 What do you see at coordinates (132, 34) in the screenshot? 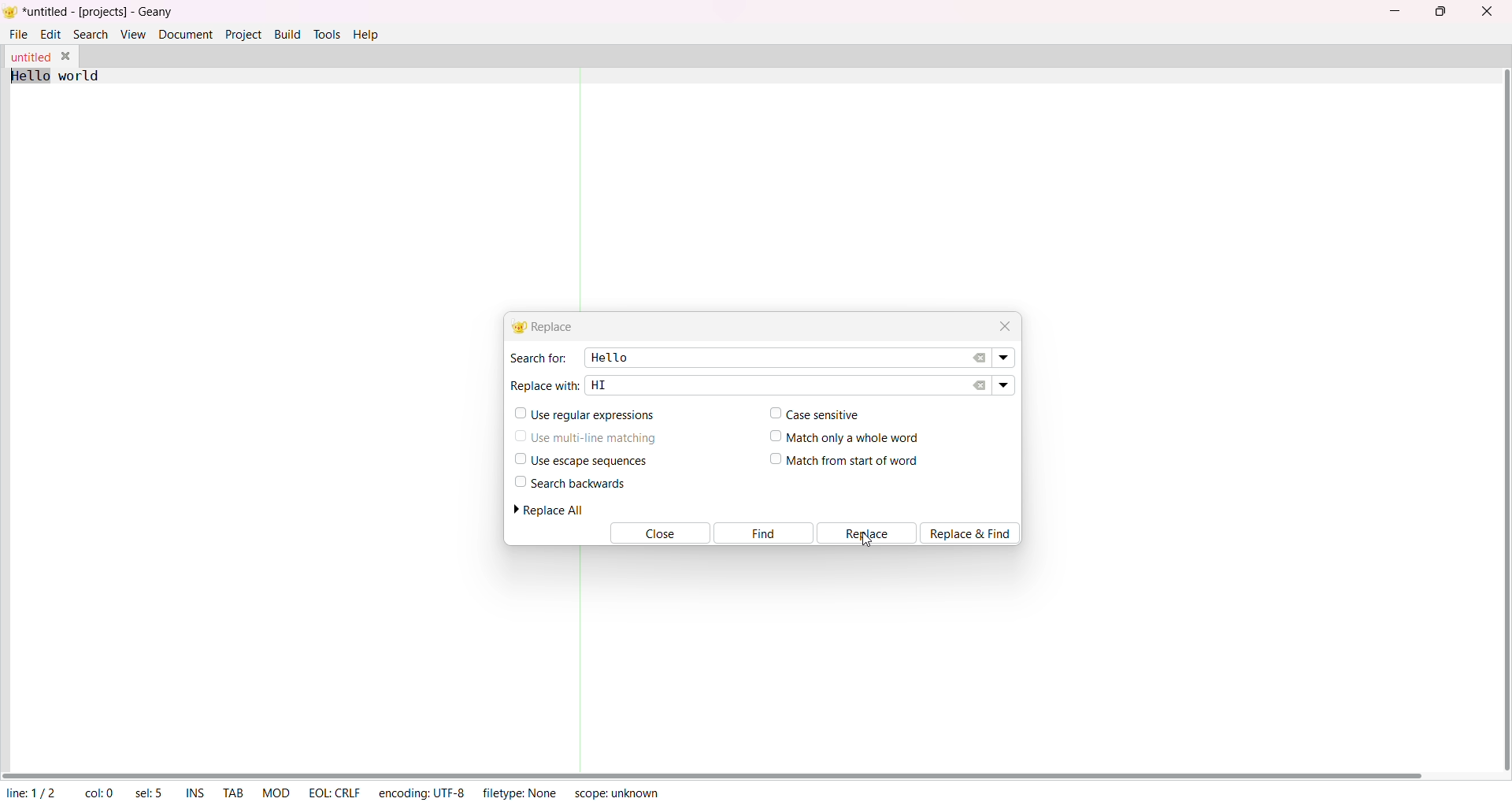
I see `view` at bounding box center [132, 34].